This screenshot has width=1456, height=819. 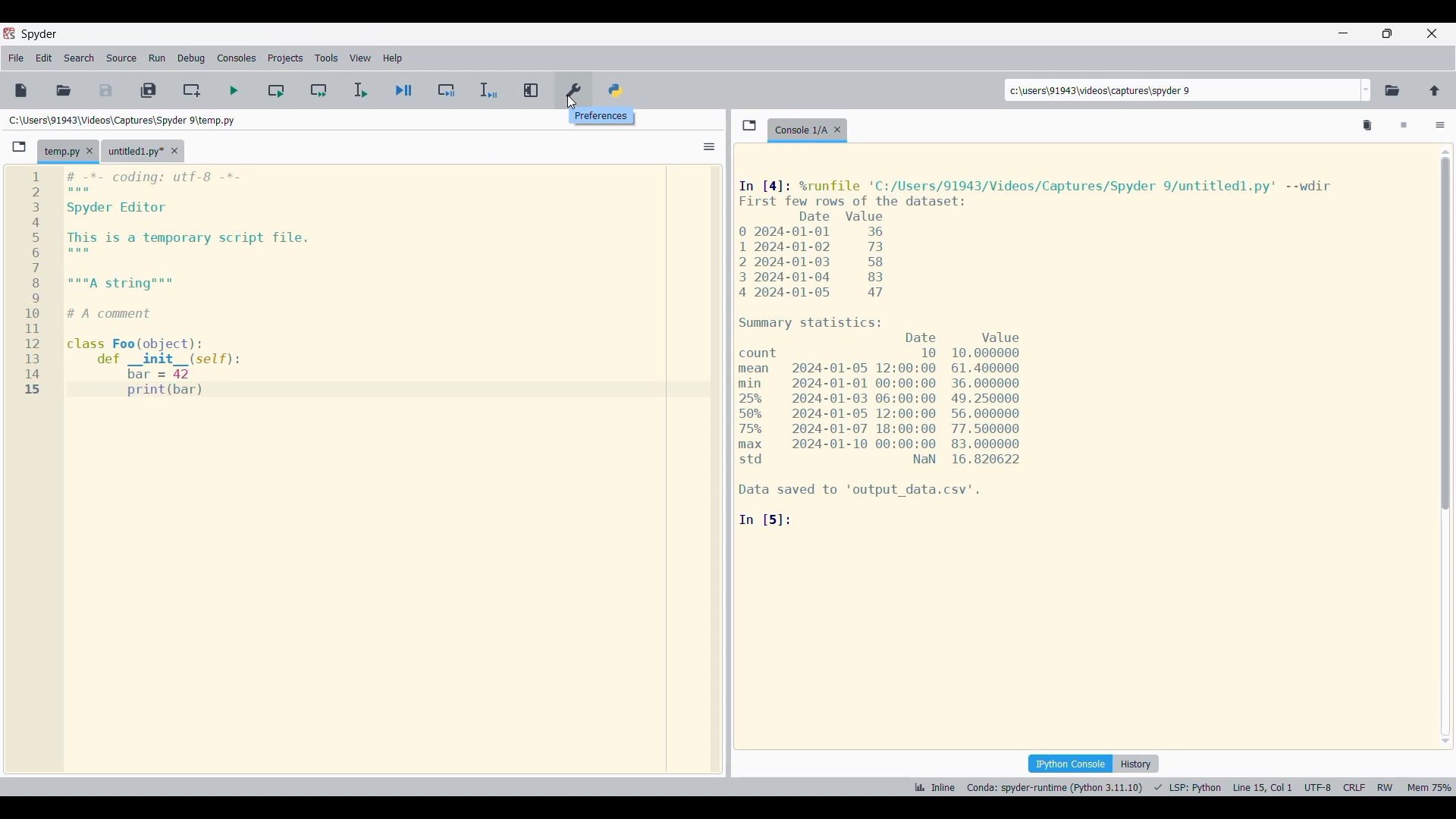 I want to click on Current tab, so click(x=799, y=130).